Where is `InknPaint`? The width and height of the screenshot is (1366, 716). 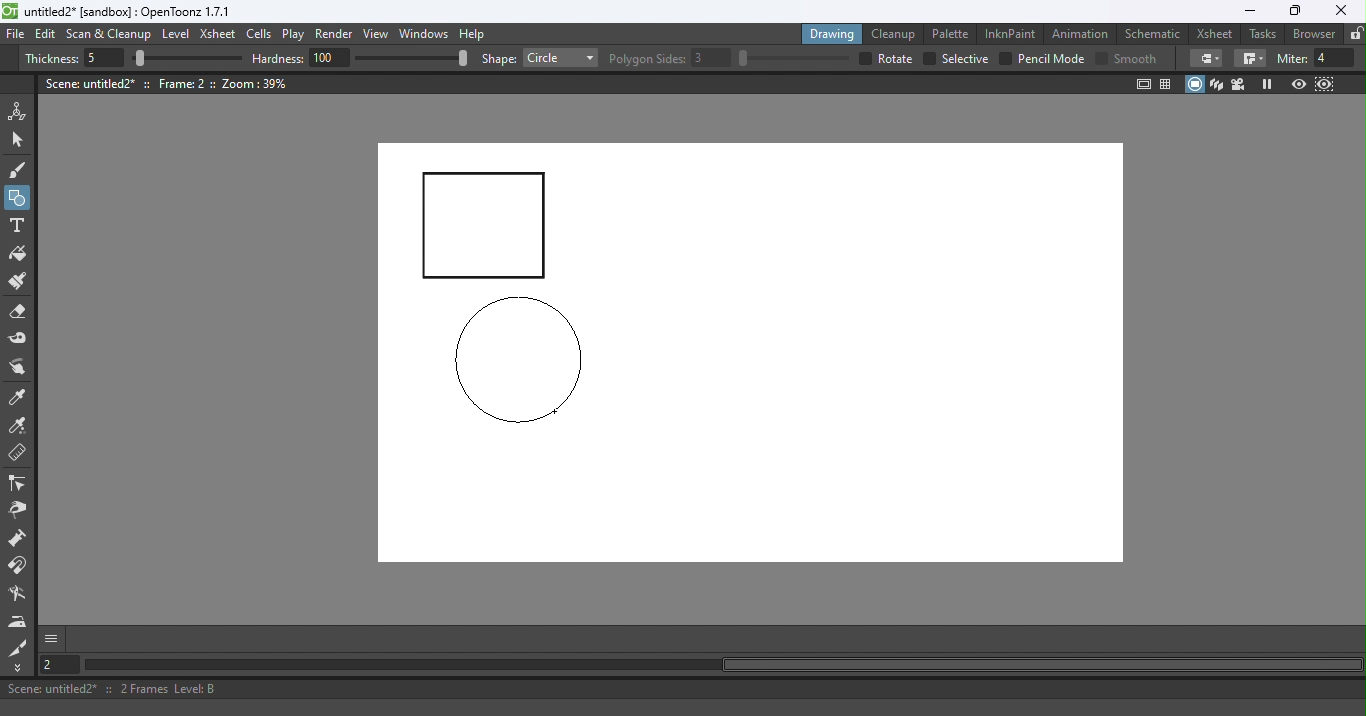
InknPaint is located at coordinates (1011, 32).